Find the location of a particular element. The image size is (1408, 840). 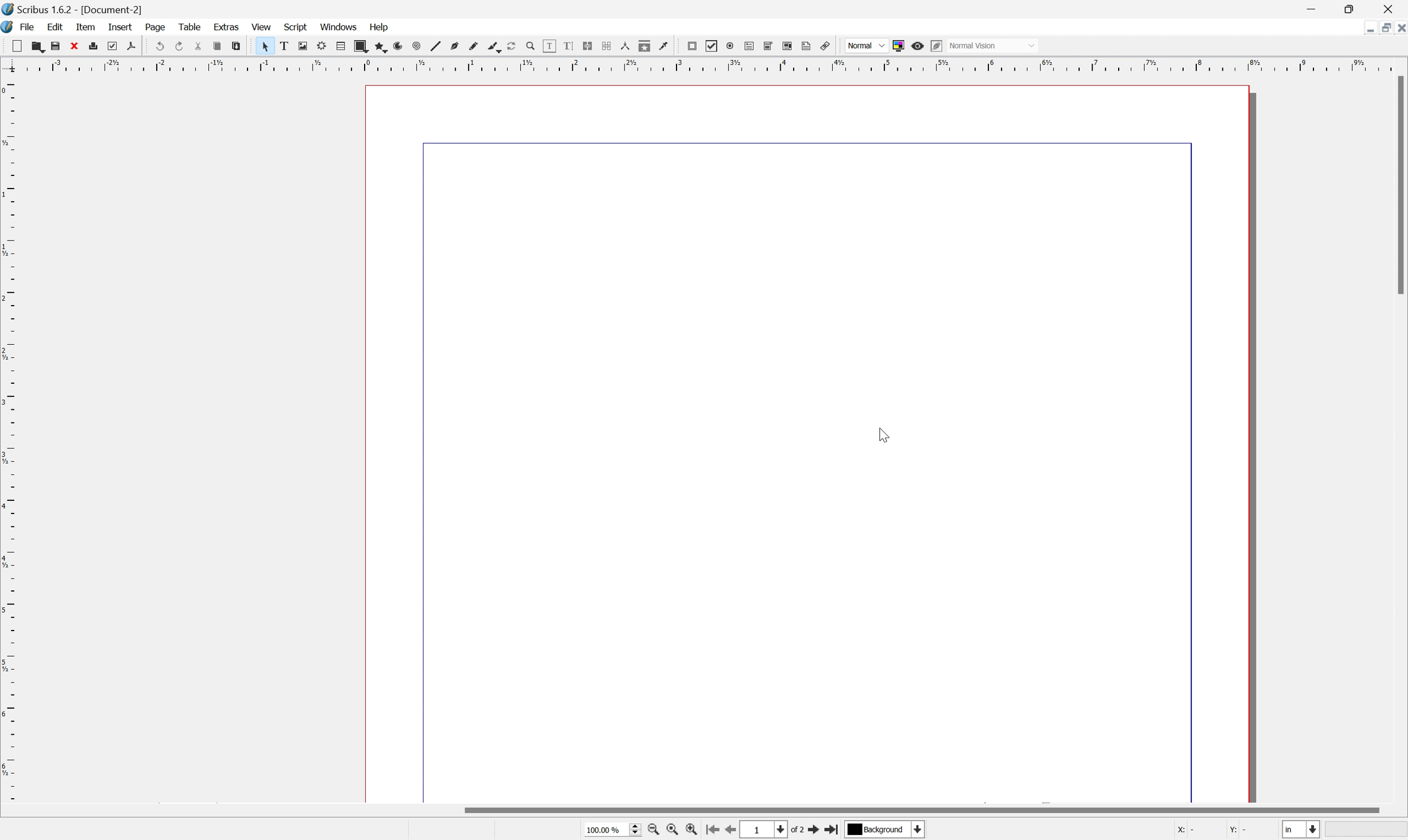

pdf radio button is located at coordinates (730, 44).